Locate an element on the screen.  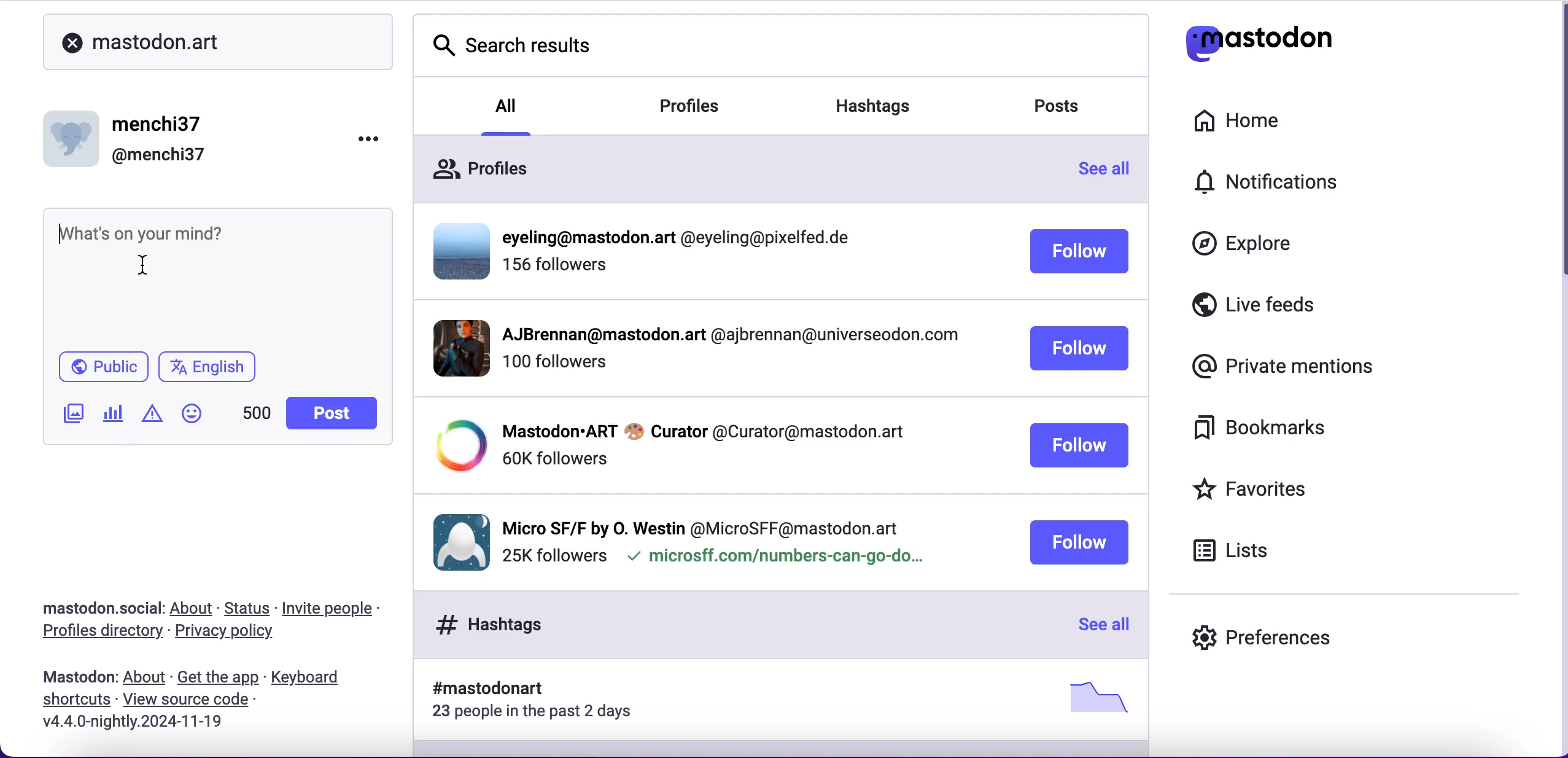
post is located at coordinates (337, 418).